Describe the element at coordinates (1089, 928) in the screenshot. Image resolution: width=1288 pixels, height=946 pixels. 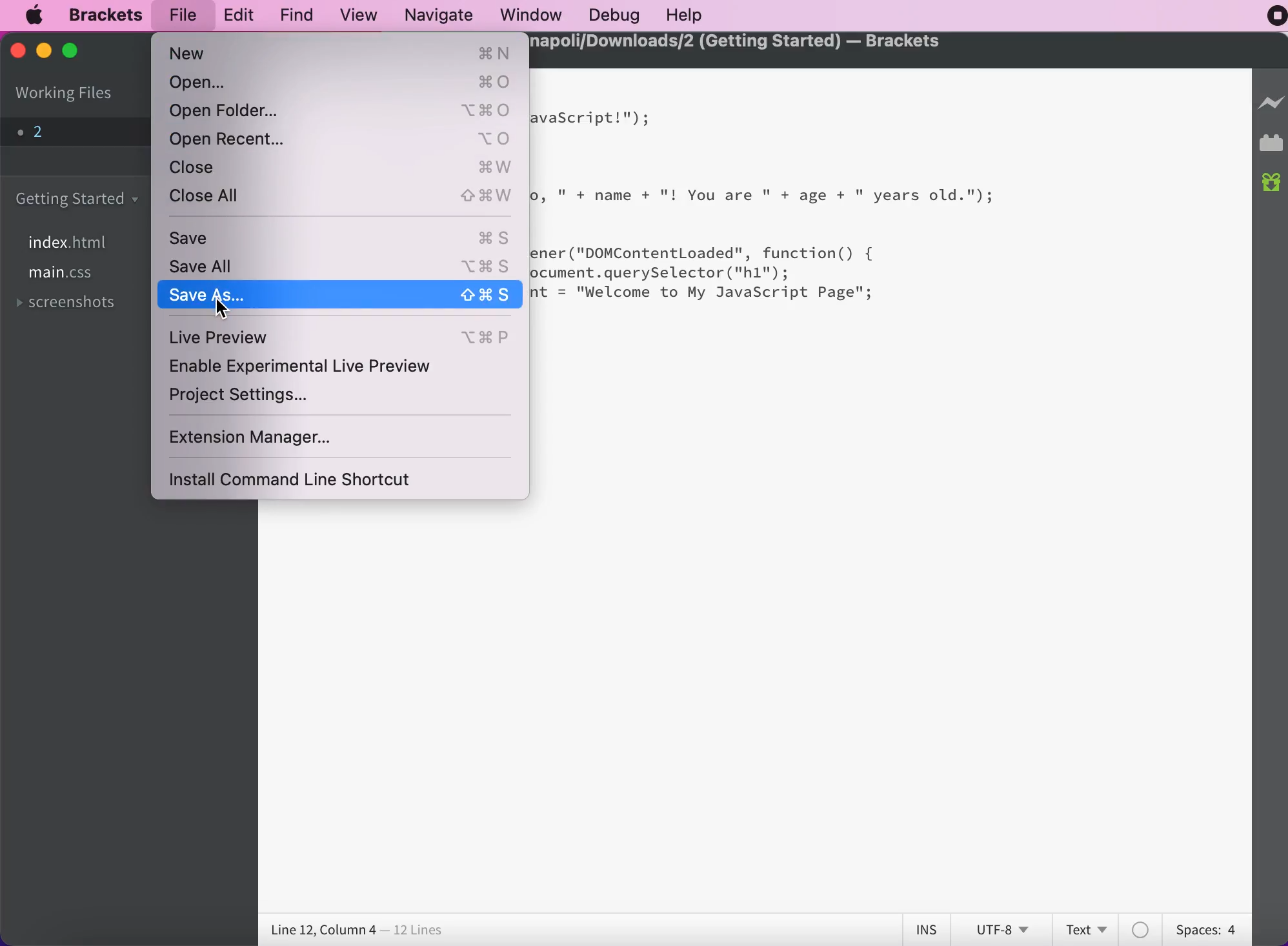
I see `text` at that location.